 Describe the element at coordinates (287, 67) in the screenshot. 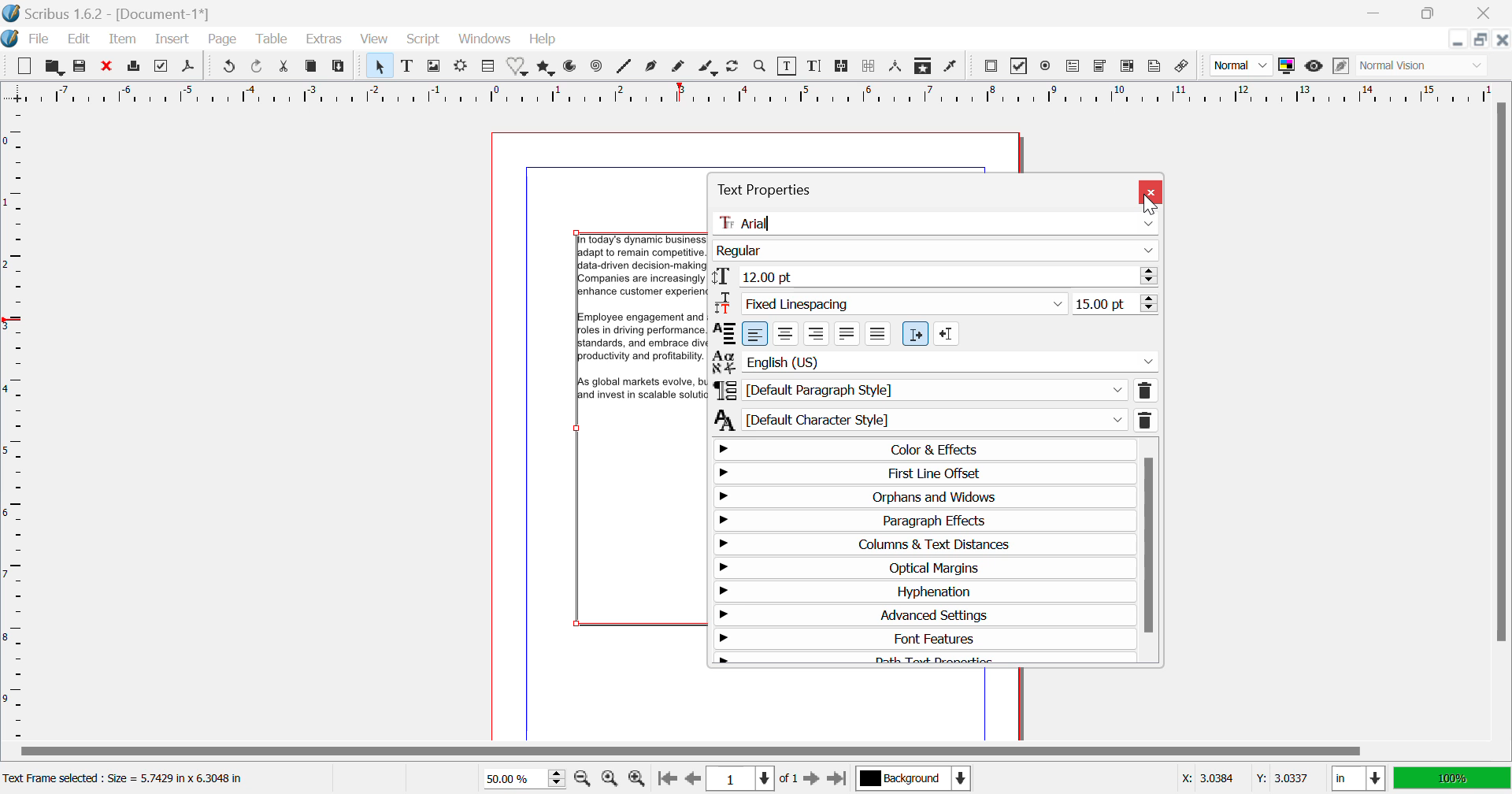

I see `Cut` at that location.